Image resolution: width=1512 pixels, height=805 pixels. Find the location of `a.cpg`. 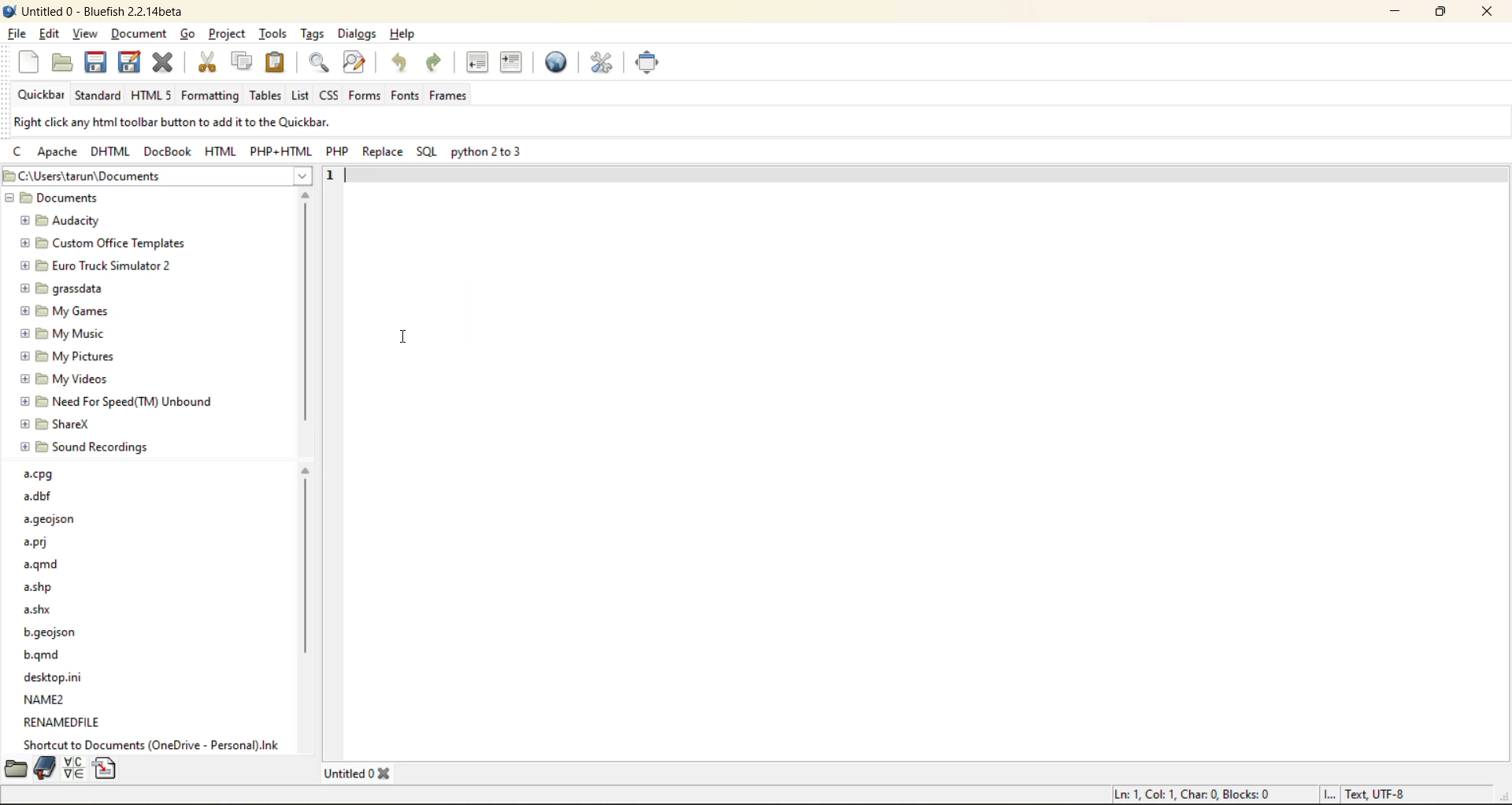

a.cpg is located at coordinates (39, 476).